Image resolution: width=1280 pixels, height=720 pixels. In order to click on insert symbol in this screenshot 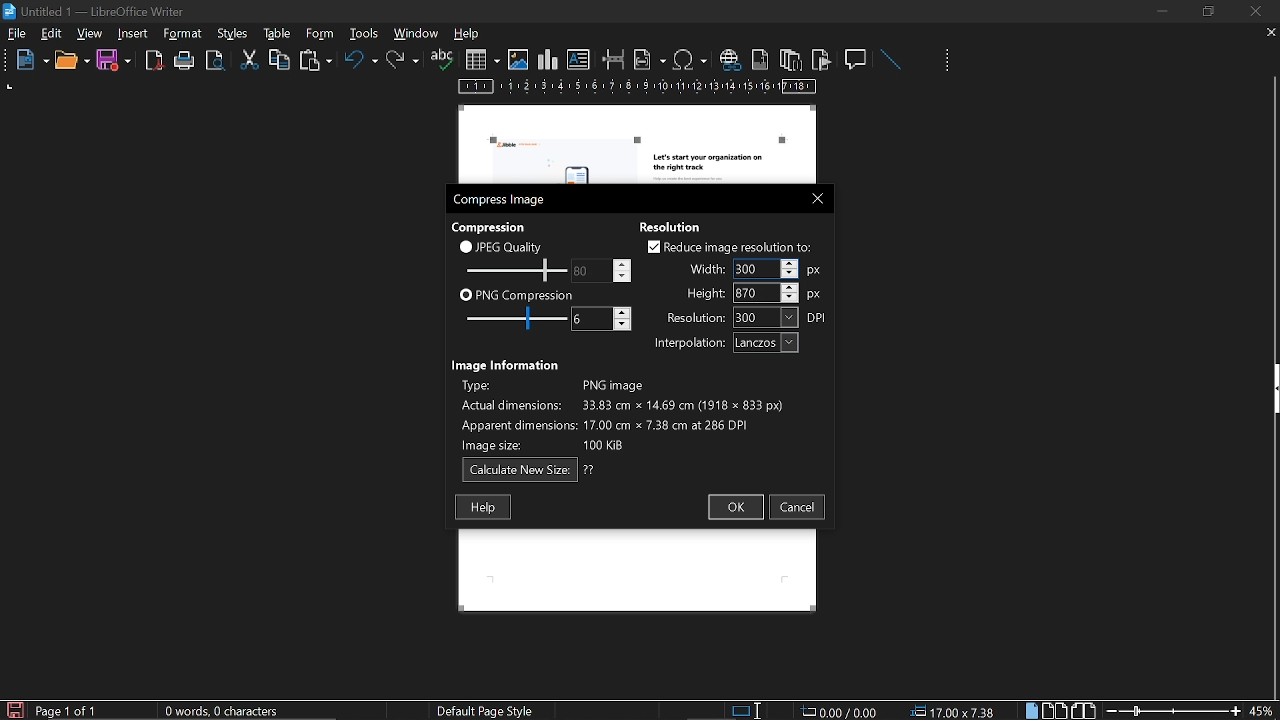, I will do `click(690, 59)`.